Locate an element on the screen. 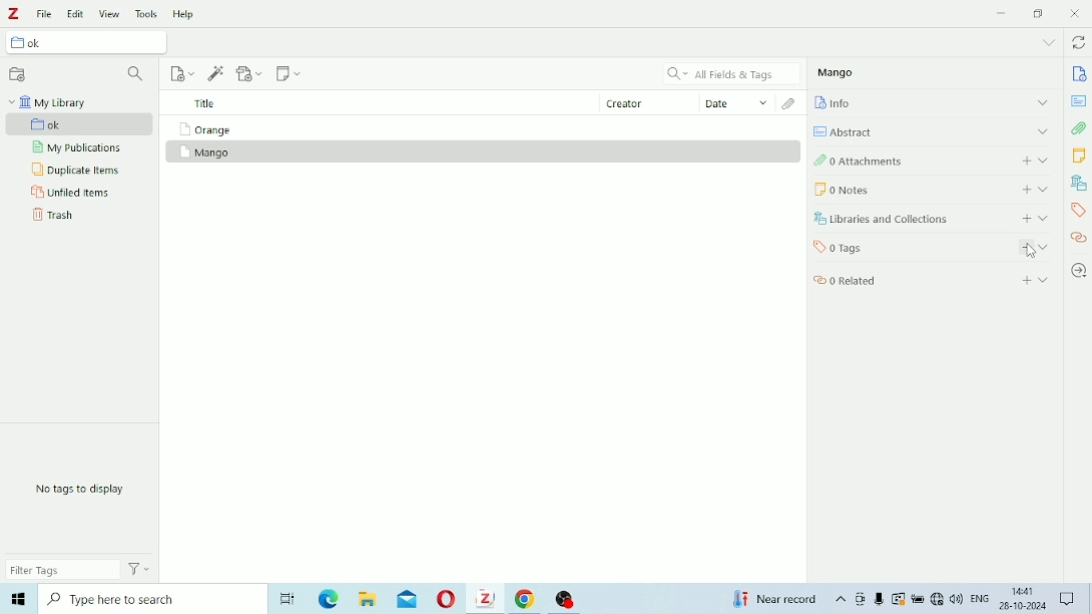 This screenshot has width=1092, height=614. Tools is located at coordinates (147, 15).